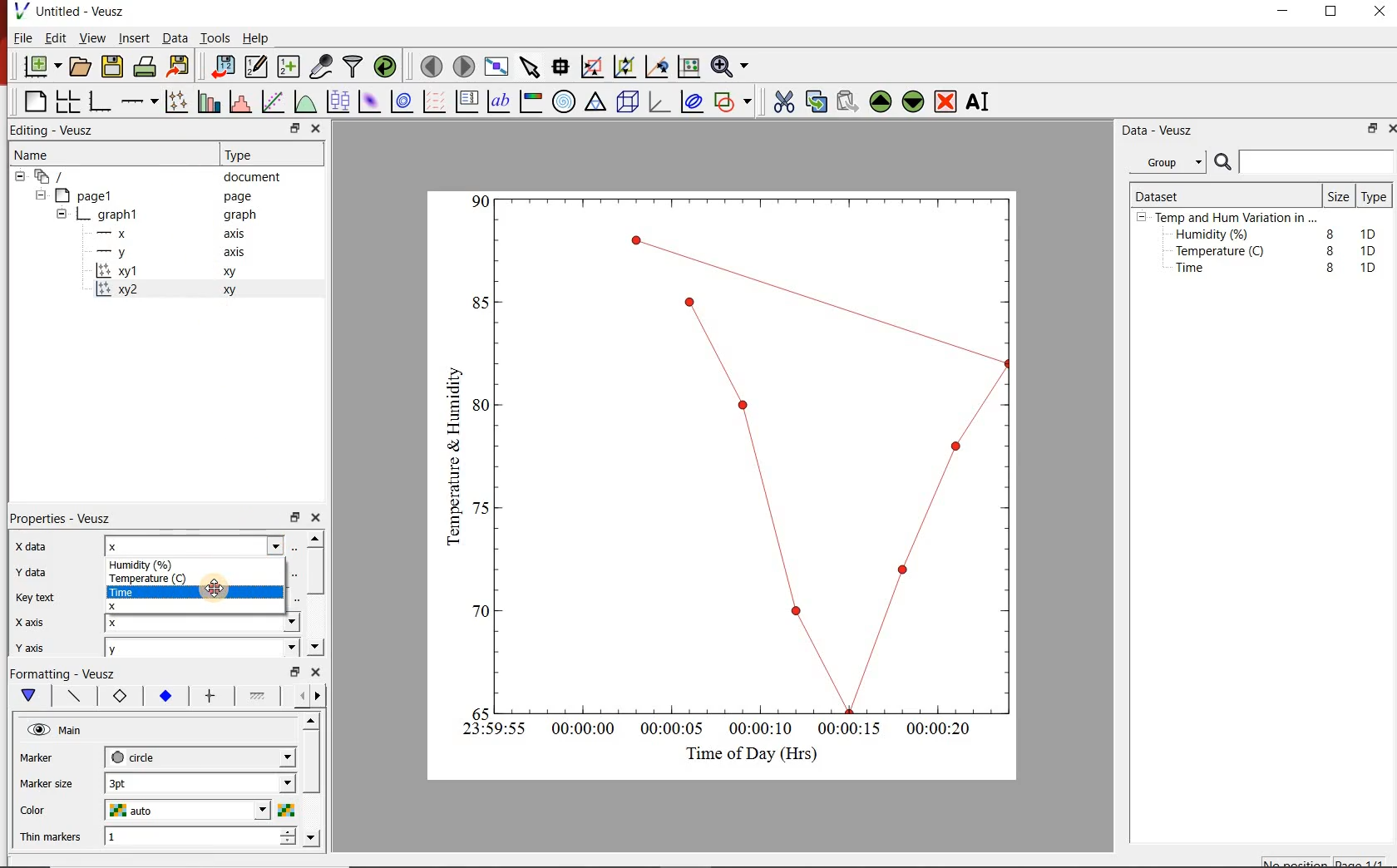 Image resolution: width=1397 pixels, height=868 pixels. Describe the element at coordinates (534, 101) in the screenshot. I see `image color bar` at that location.